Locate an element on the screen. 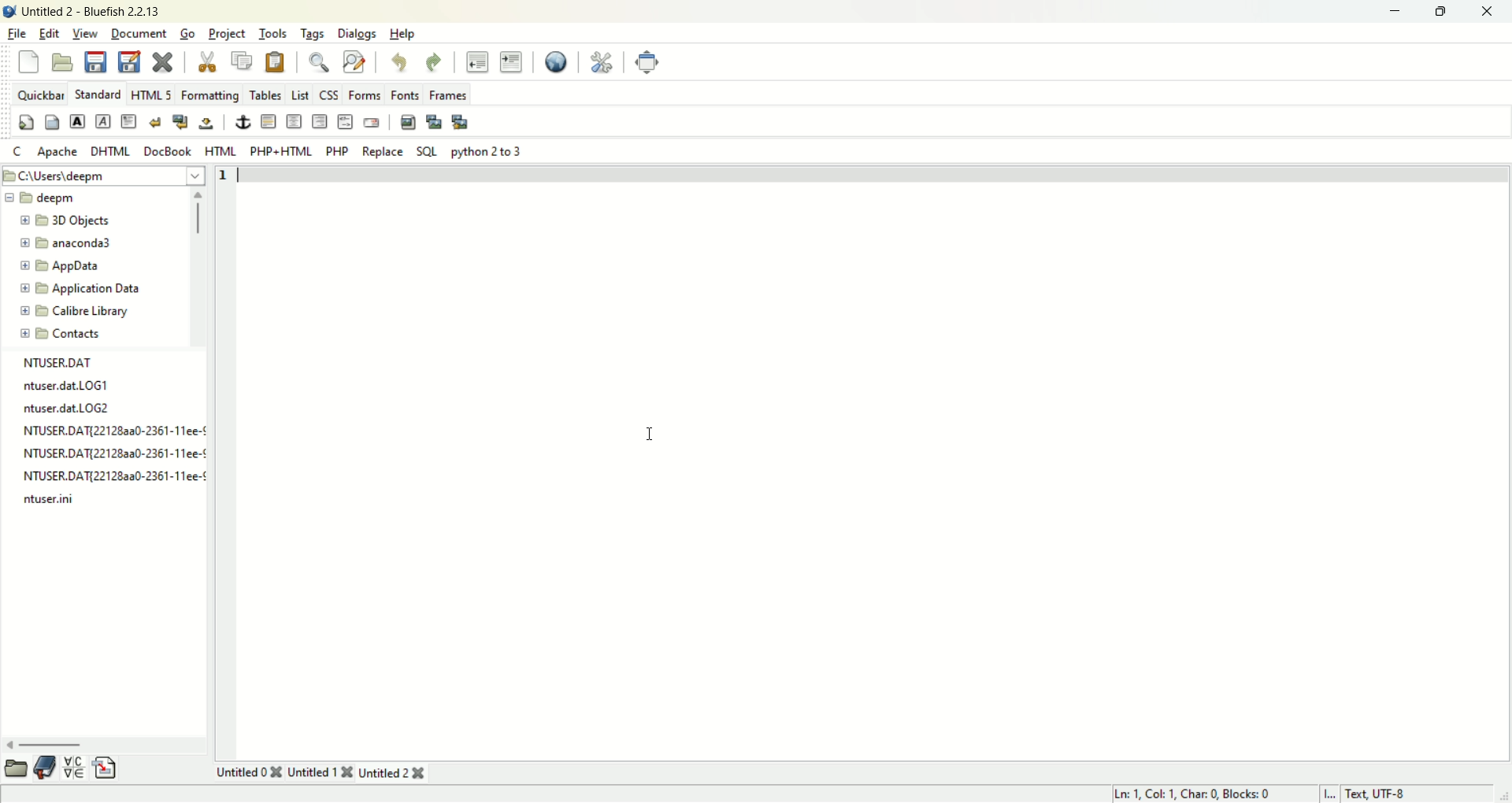  MULTI THUMBNAIL is located at coordinates (461, 121).